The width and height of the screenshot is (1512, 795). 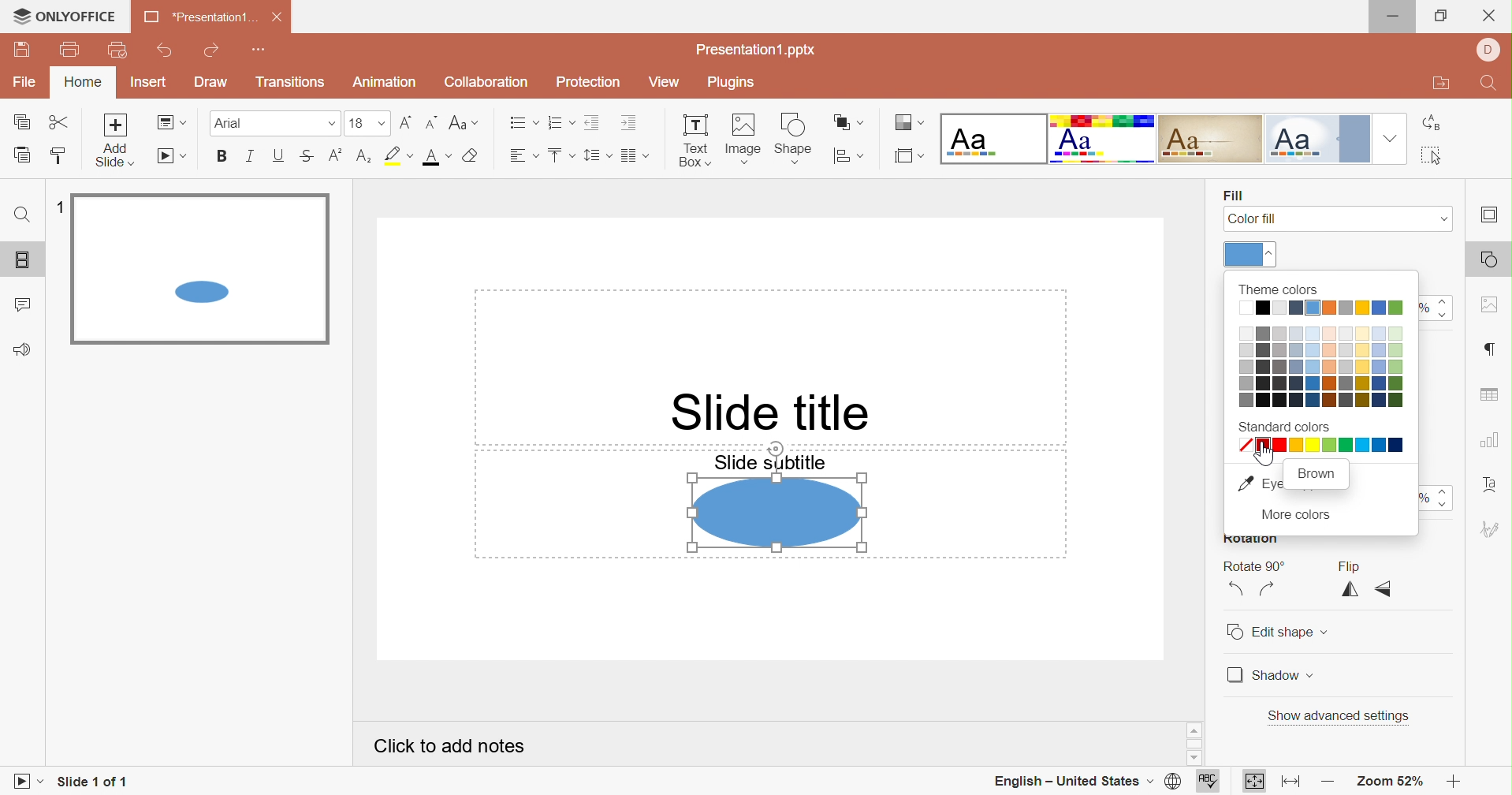 What do you see at coordinates (1174, 782) in the screenshot?
I see `Set document language` at bounding box center [1174, 782].